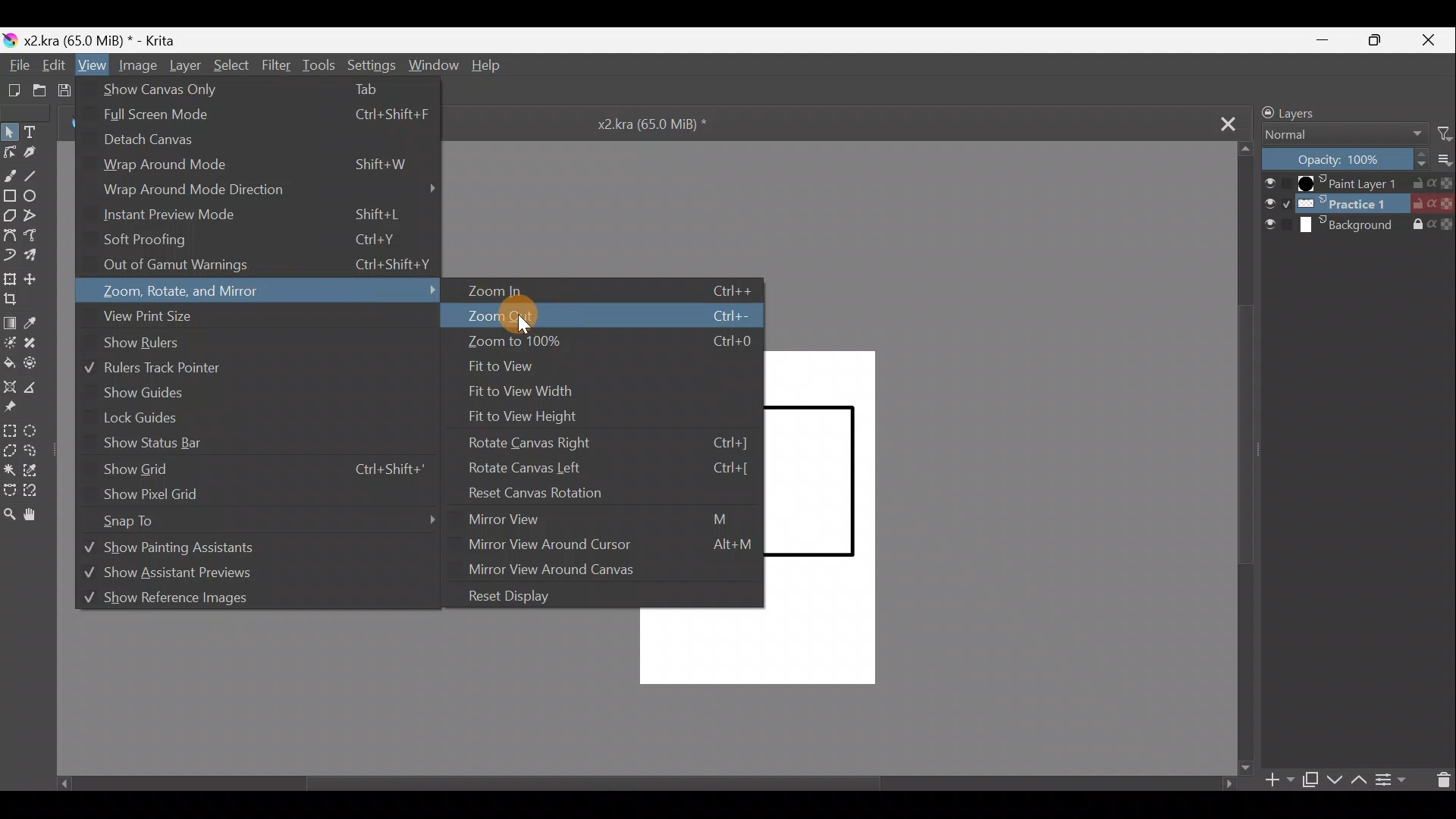 This screenshot has height=819, width=1456. Describe the element at coordinates (39, 323) in the screenshot. I see `Sample a colour` at that location.